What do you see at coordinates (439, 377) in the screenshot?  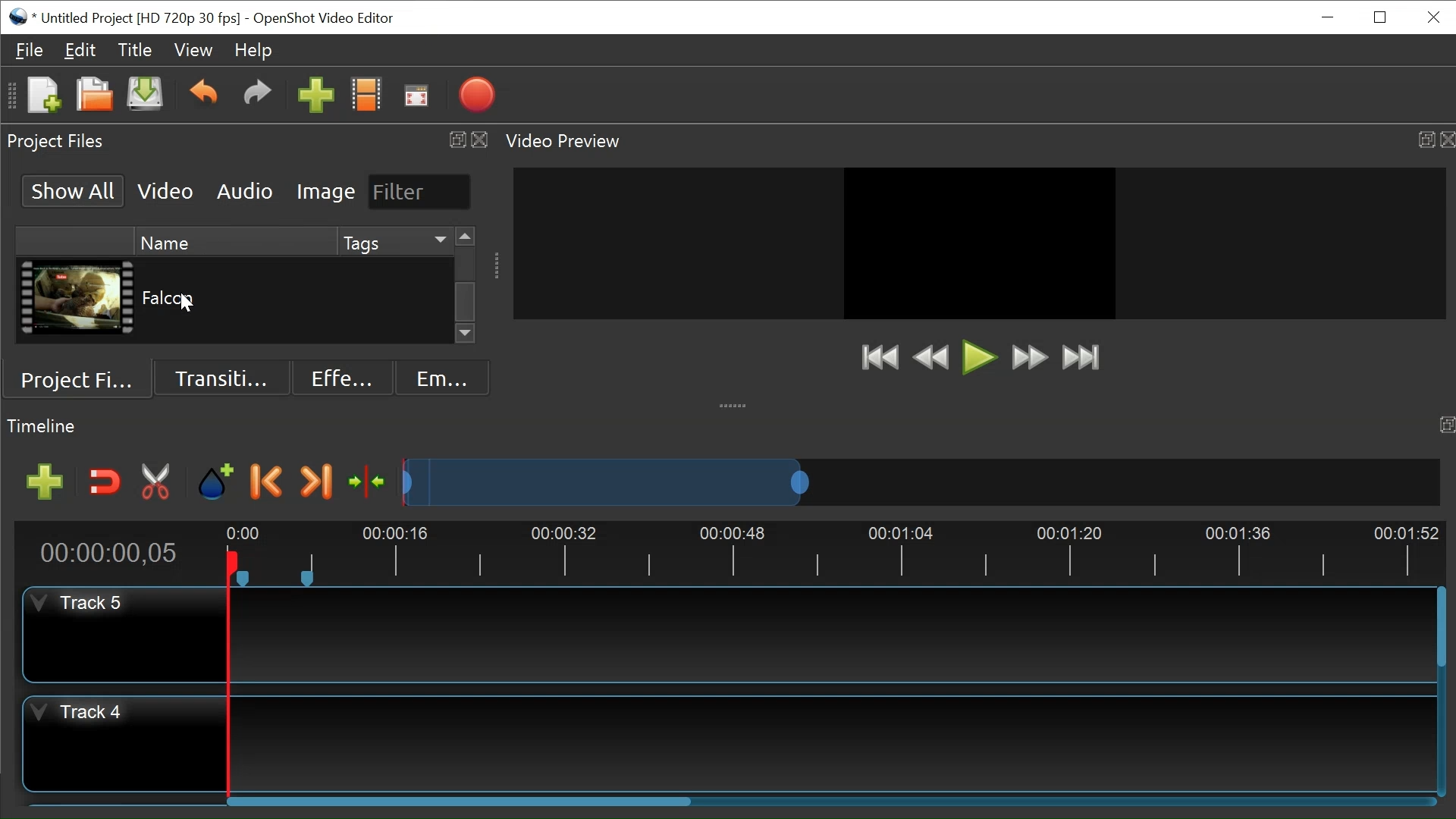 I see `Emoji` at bounding box center [439, 377].